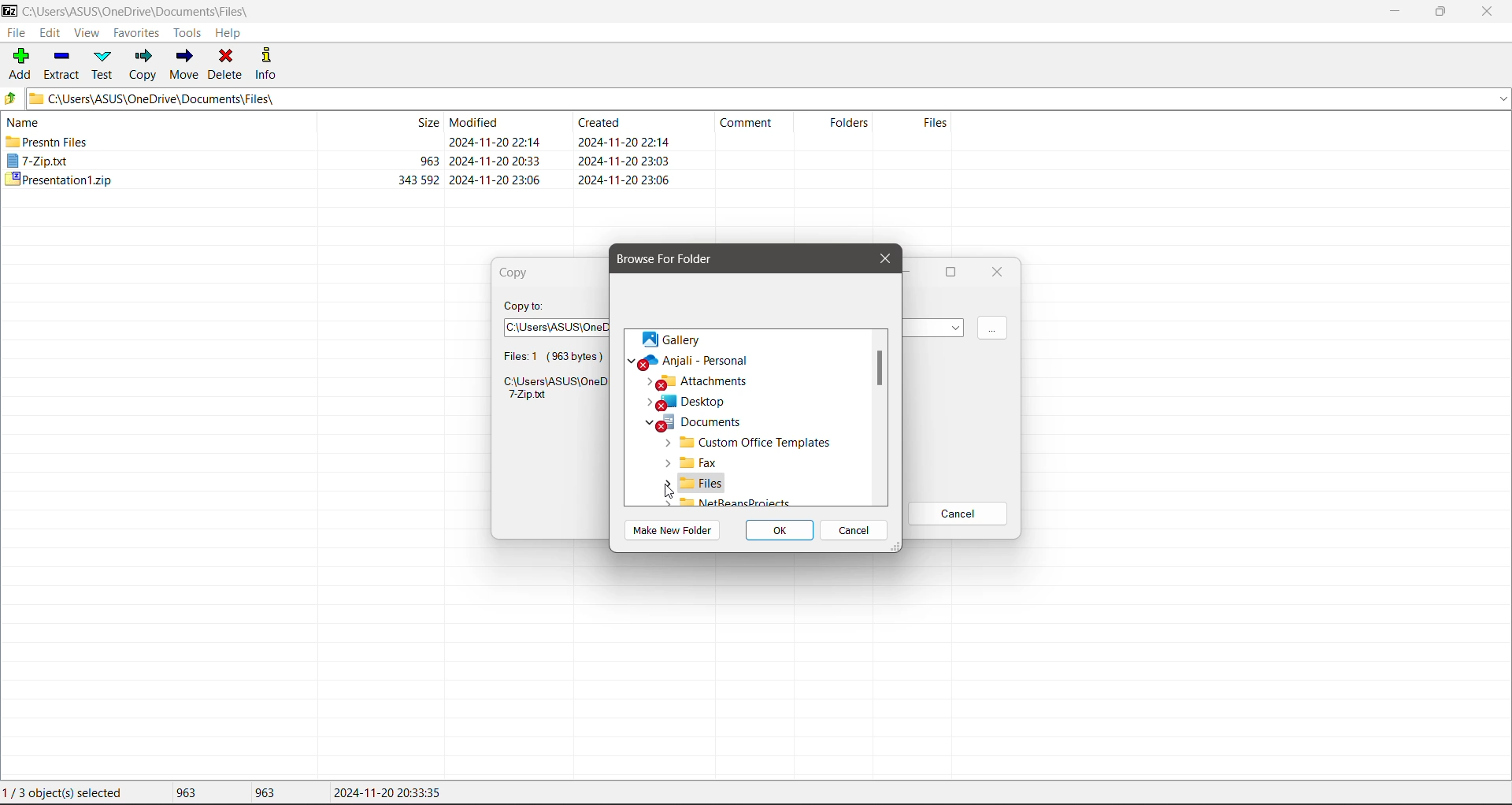 This screenshot has width=1512, height=805. Describe the element at coordinates (747, 443) in the screenshot. I see `7 Custom Office Template` at that location.